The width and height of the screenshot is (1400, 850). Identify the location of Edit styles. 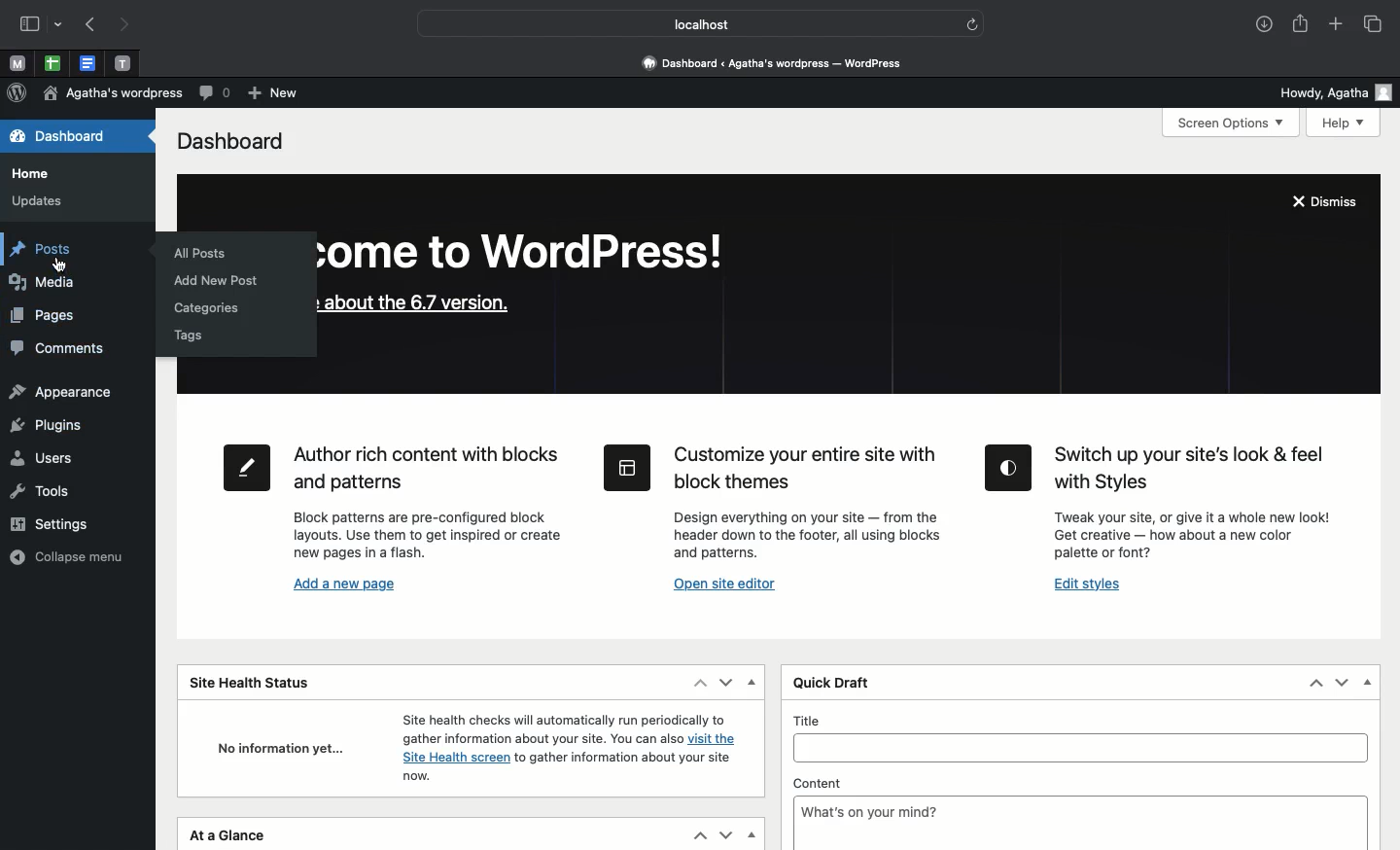
(1088, 585).